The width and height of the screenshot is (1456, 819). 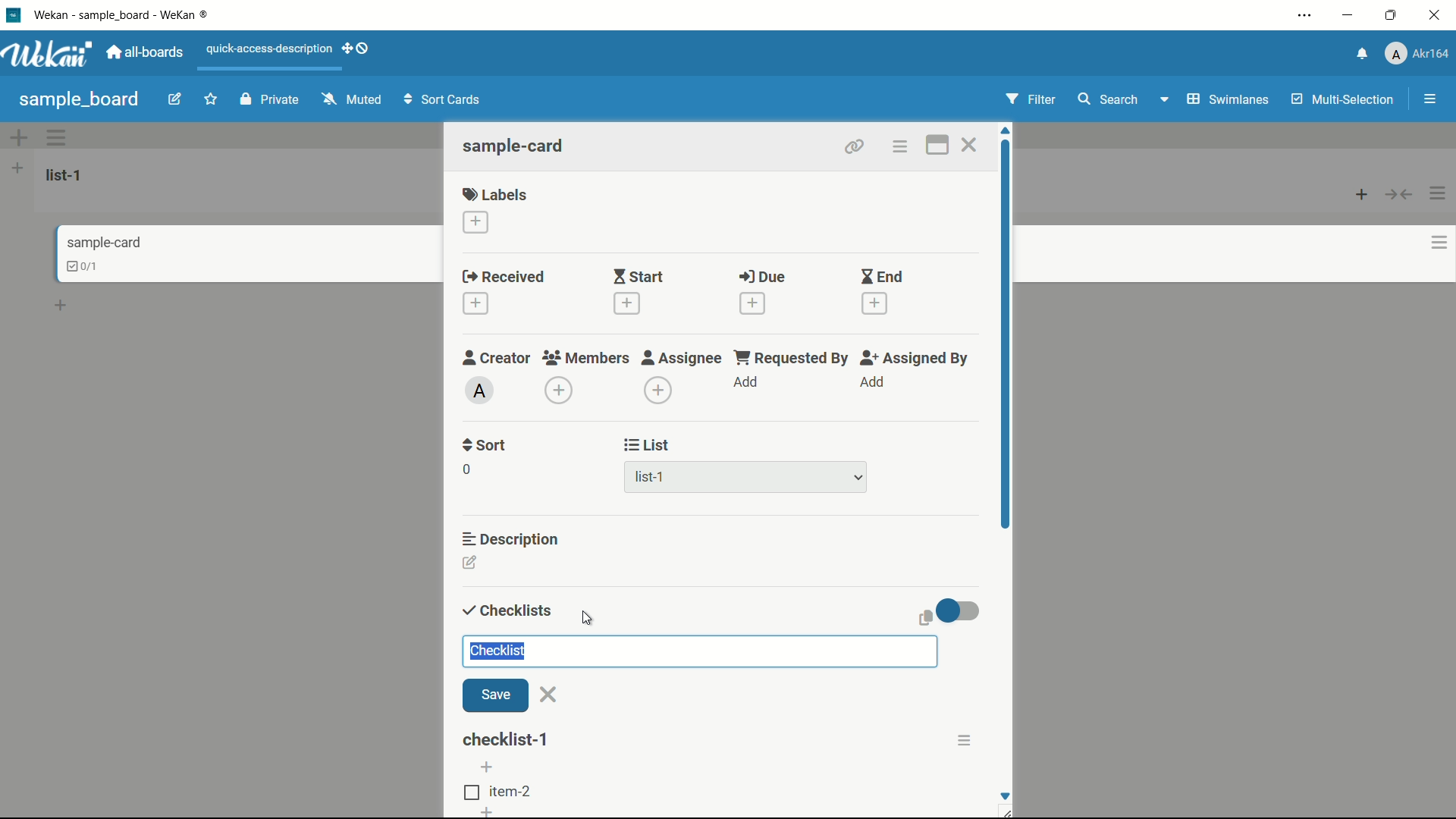 What do you see at coordinates (1345, 101) in the screenshot?
I see `multi selection` at bounding box center [1345, 101].